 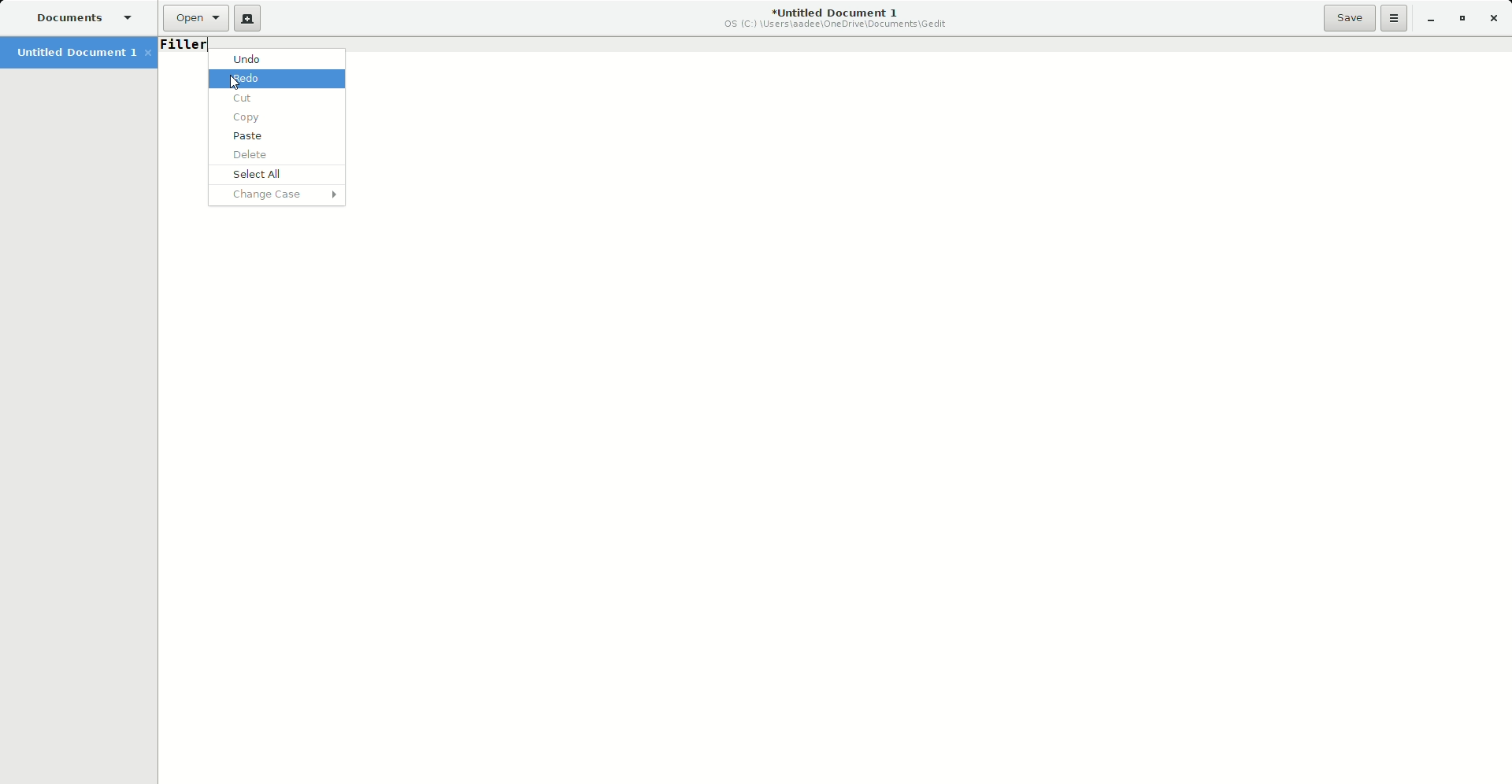 What do you see at coordinates (1430, 20) in the screenshot?
I see `Minimize` at bounding box center [1430, 20].